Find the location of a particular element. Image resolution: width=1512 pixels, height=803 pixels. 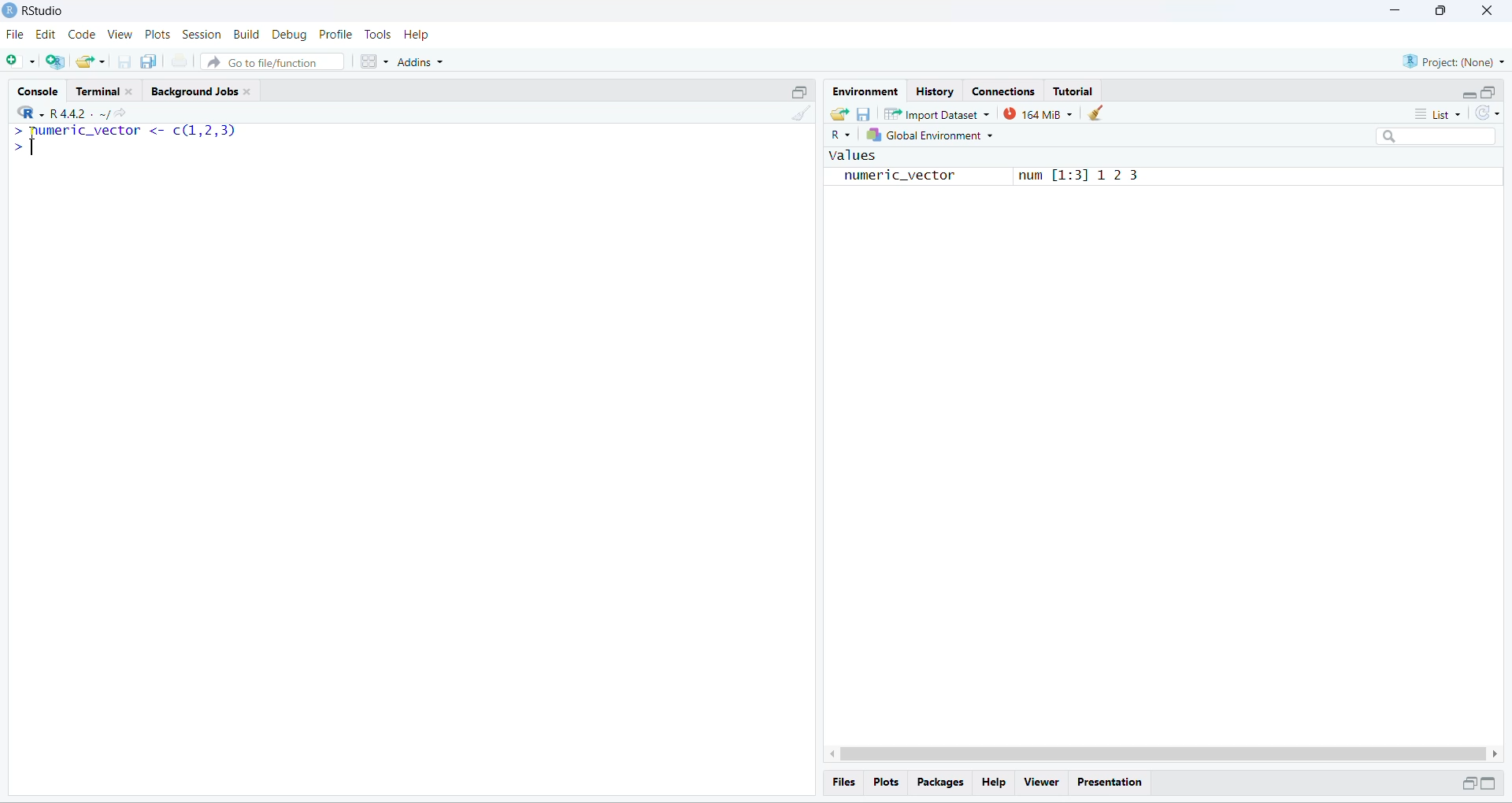

Terminal is located at coordinates (107, 88).